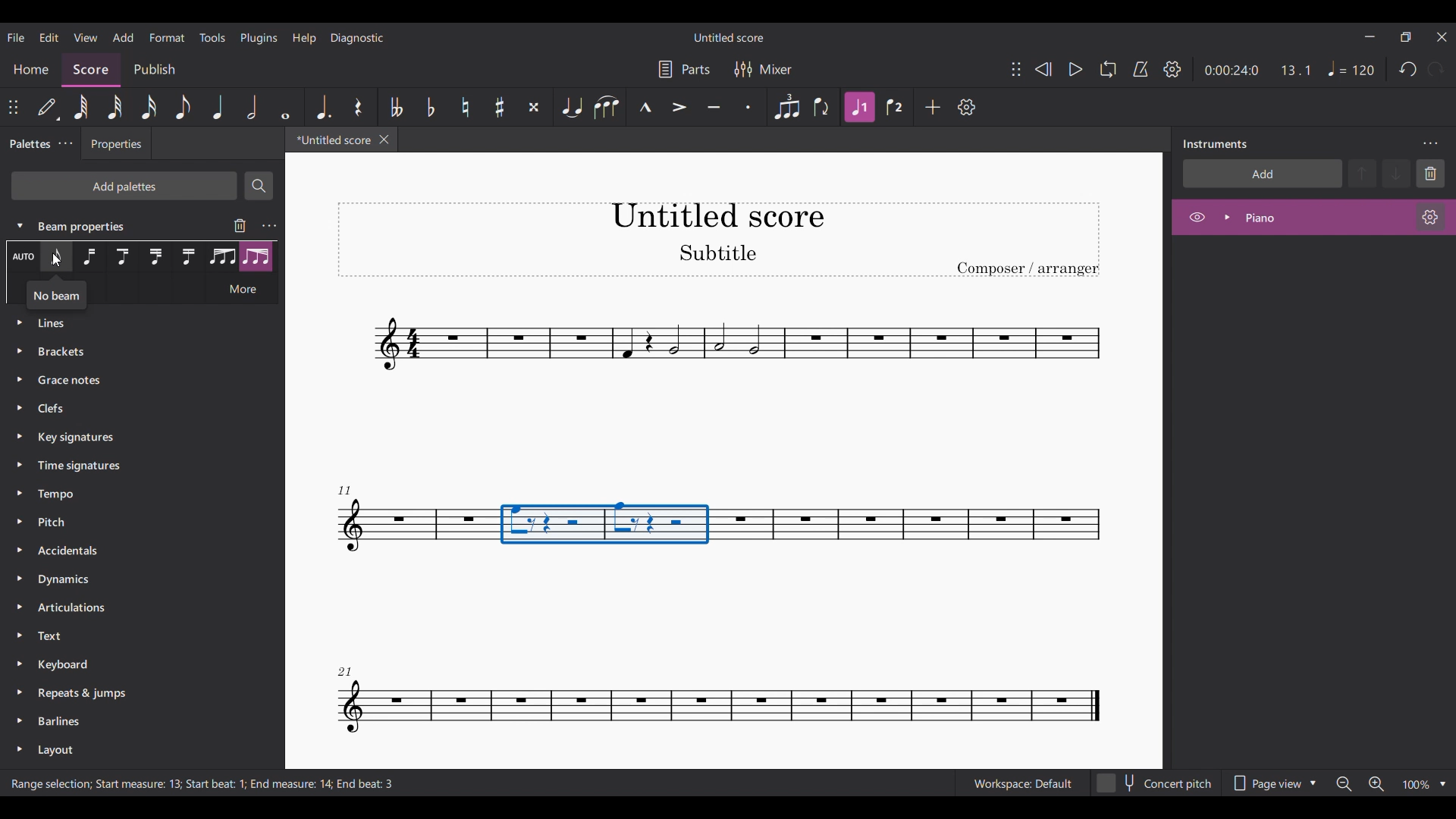 The image size is (1456, 819). Describe the element at coordinates (20, 225) in the screenshot. I see `Collapse` at that location.